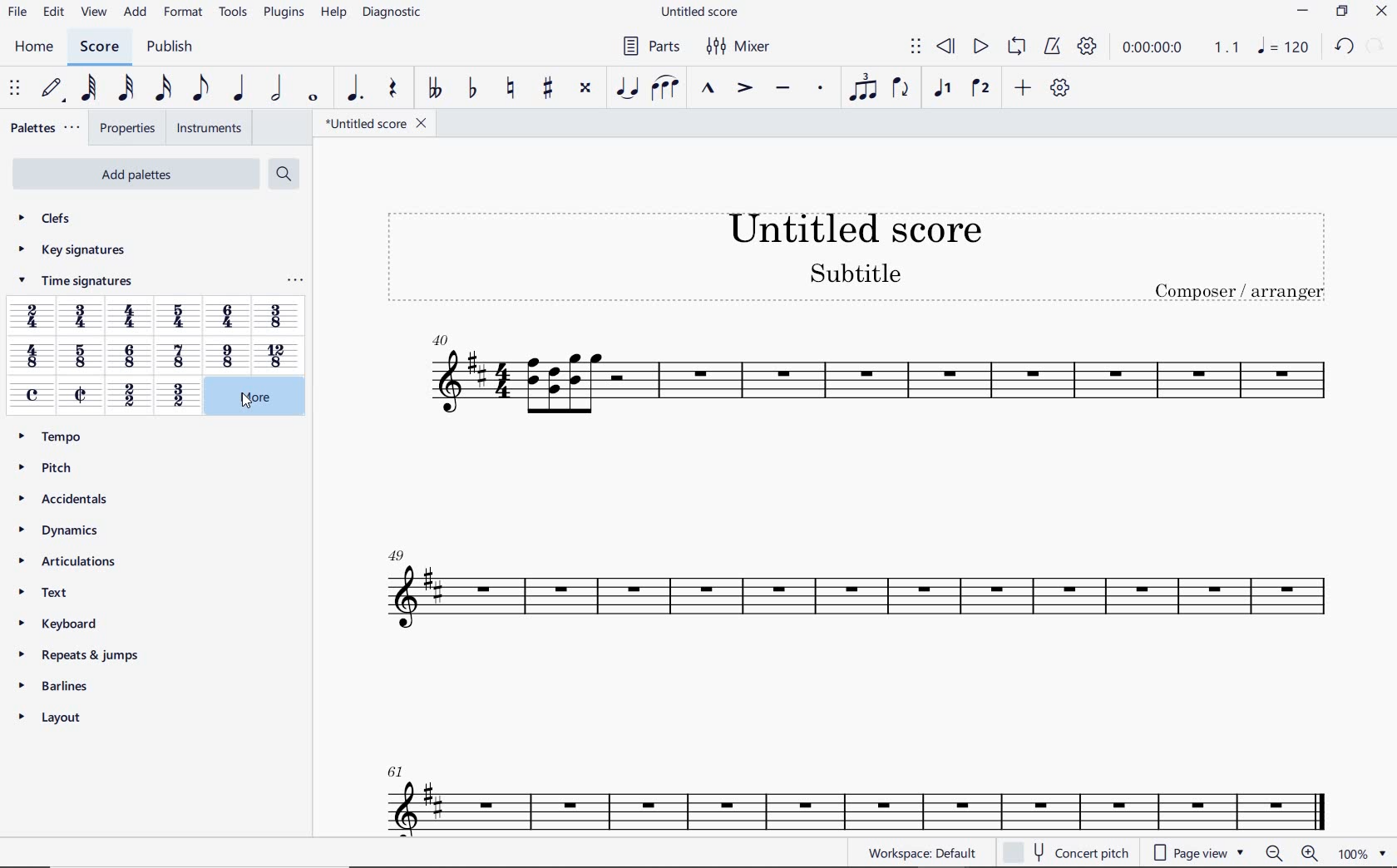  What do you see at coordinates (740, 47) in the screenshot?
I see `MIXER` at bounding box center [740, 47].